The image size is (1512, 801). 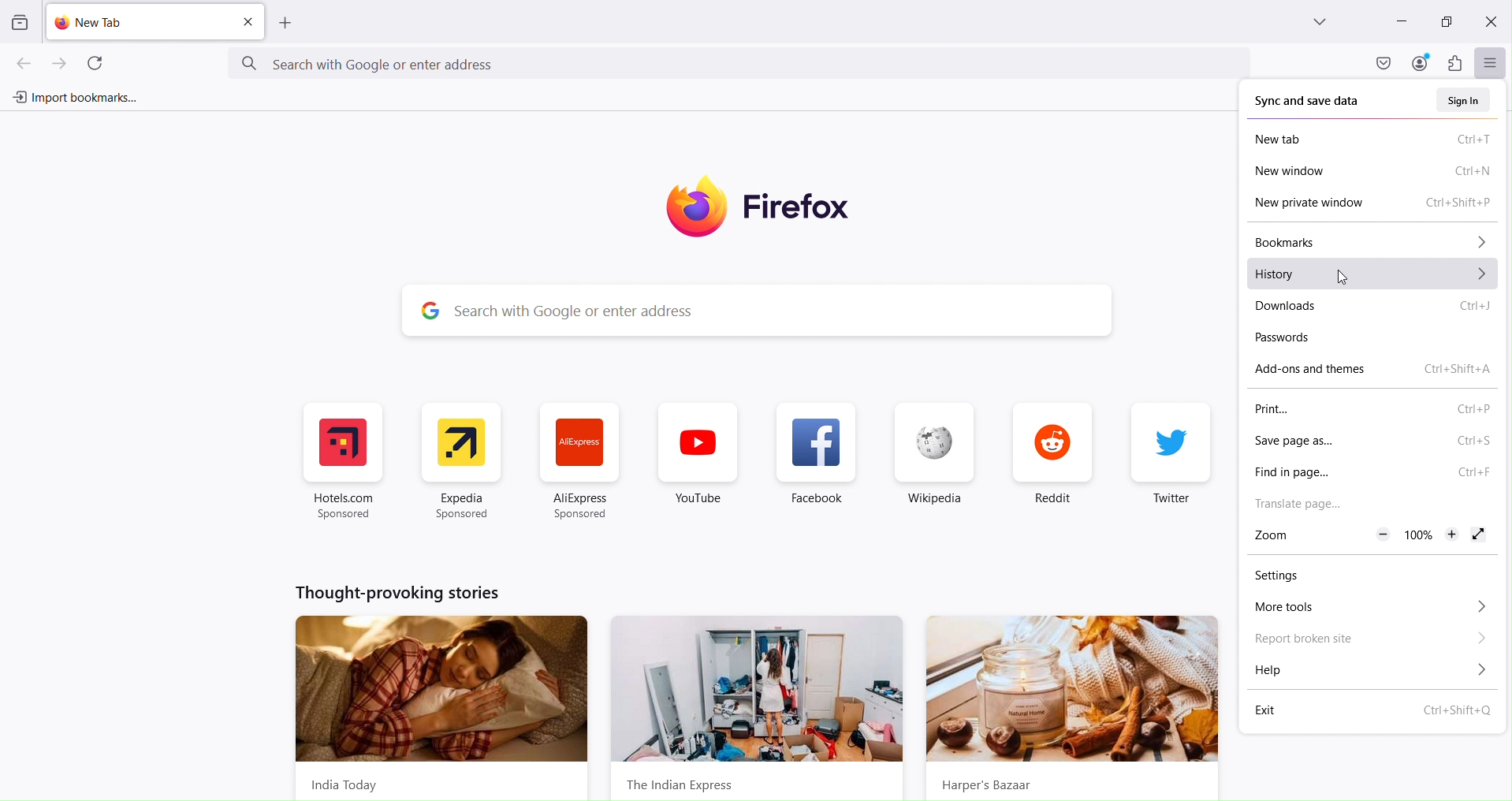 What do you see at coordinates (1450, 534) in the screenshot?
I see `Zoom in` at bounding box center [1450, 534].